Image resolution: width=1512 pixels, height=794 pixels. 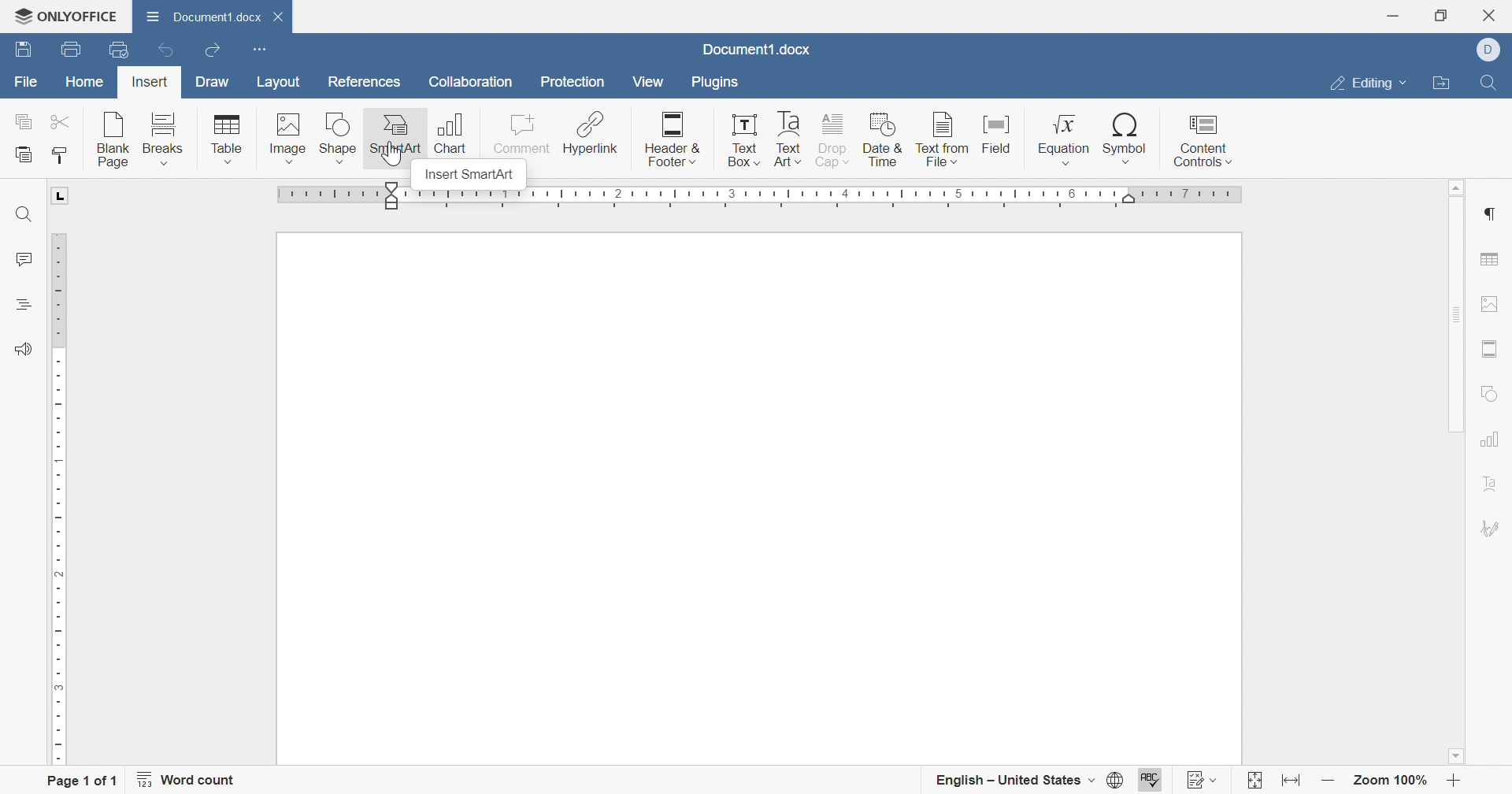 What do you see at coordinates (1440, 16) in the screenshot?
I see `Restore down` at bounding box center [1440, 16].